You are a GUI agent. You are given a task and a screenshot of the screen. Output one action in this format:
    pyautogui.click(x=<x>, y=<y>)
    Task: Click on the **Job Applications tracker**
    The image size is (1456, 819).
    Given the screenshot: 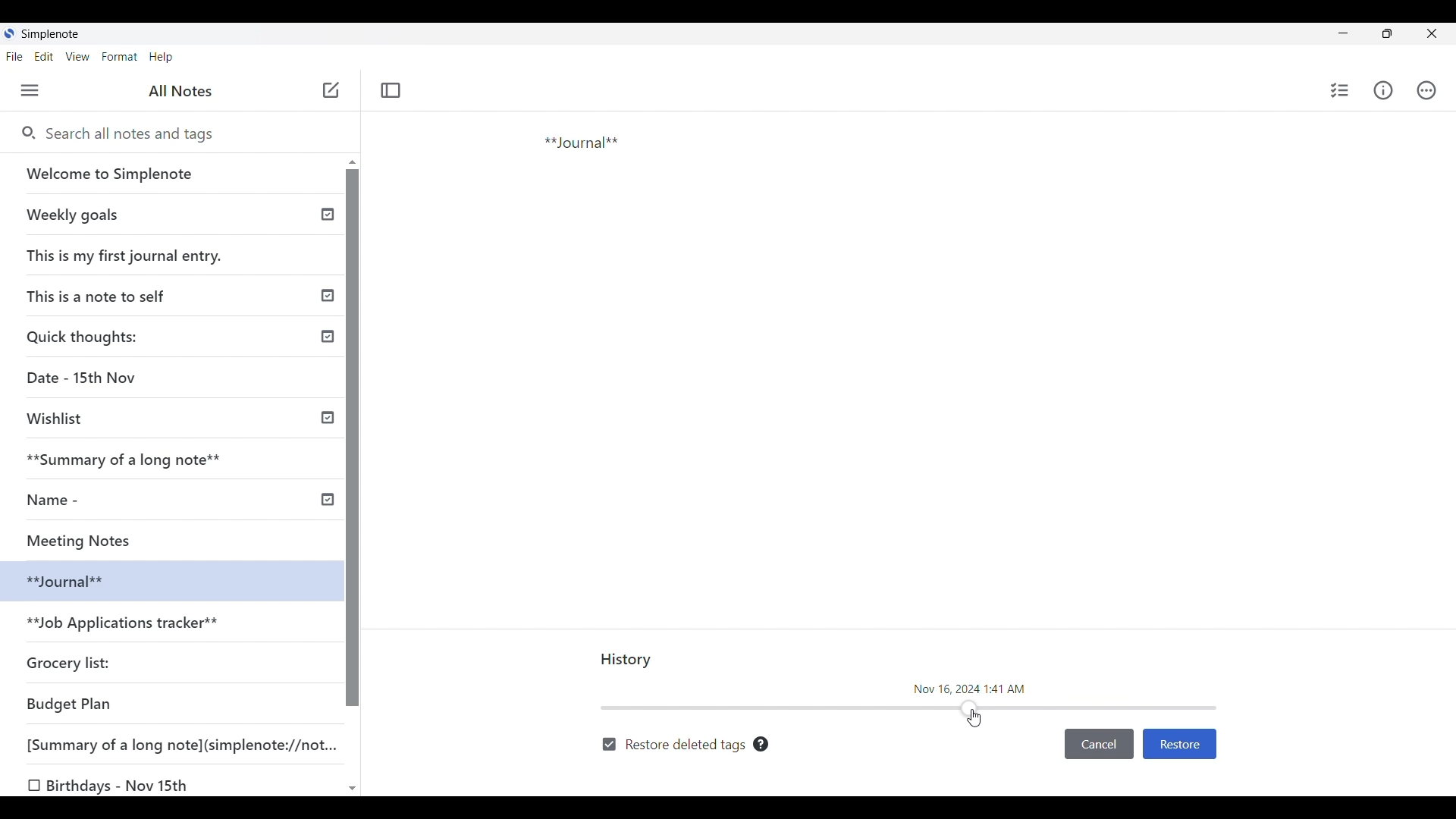 What is the action you would take?
    pyautogui.click(x=126, y=624)
    